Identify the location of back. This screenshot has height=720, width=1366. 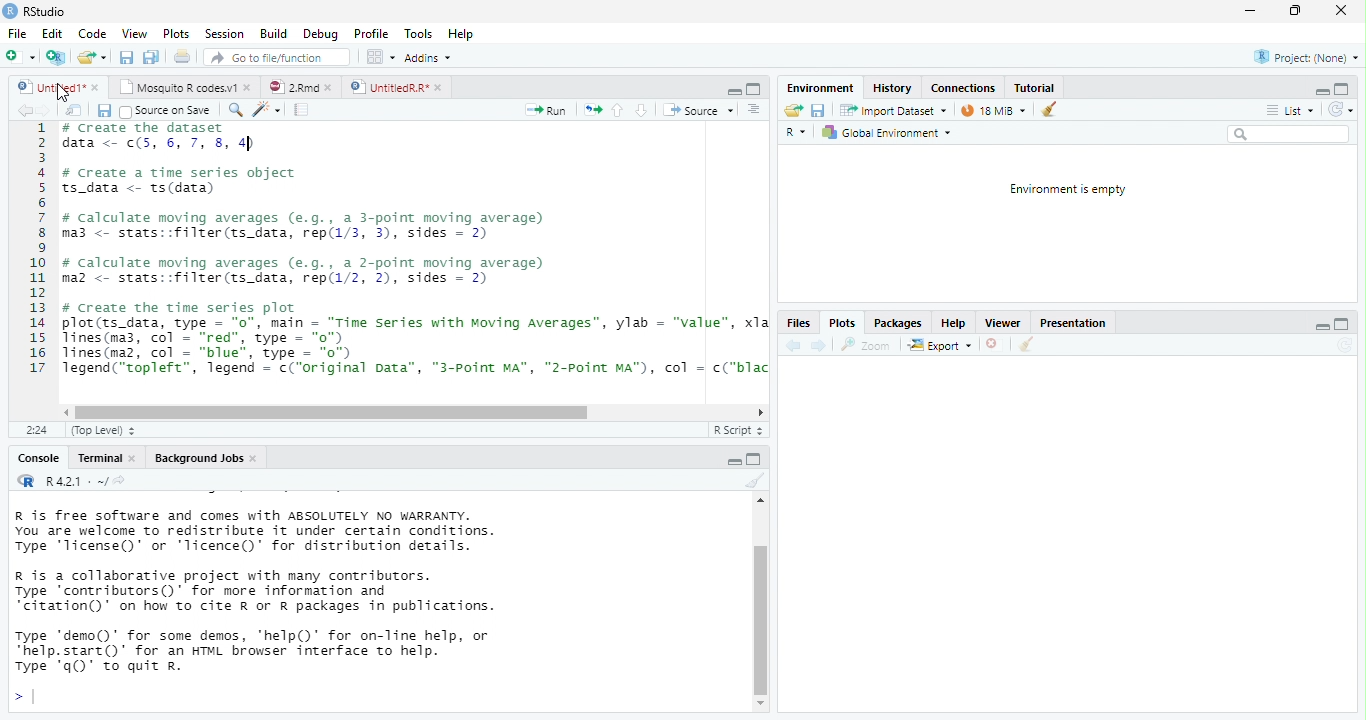
(791, 345).